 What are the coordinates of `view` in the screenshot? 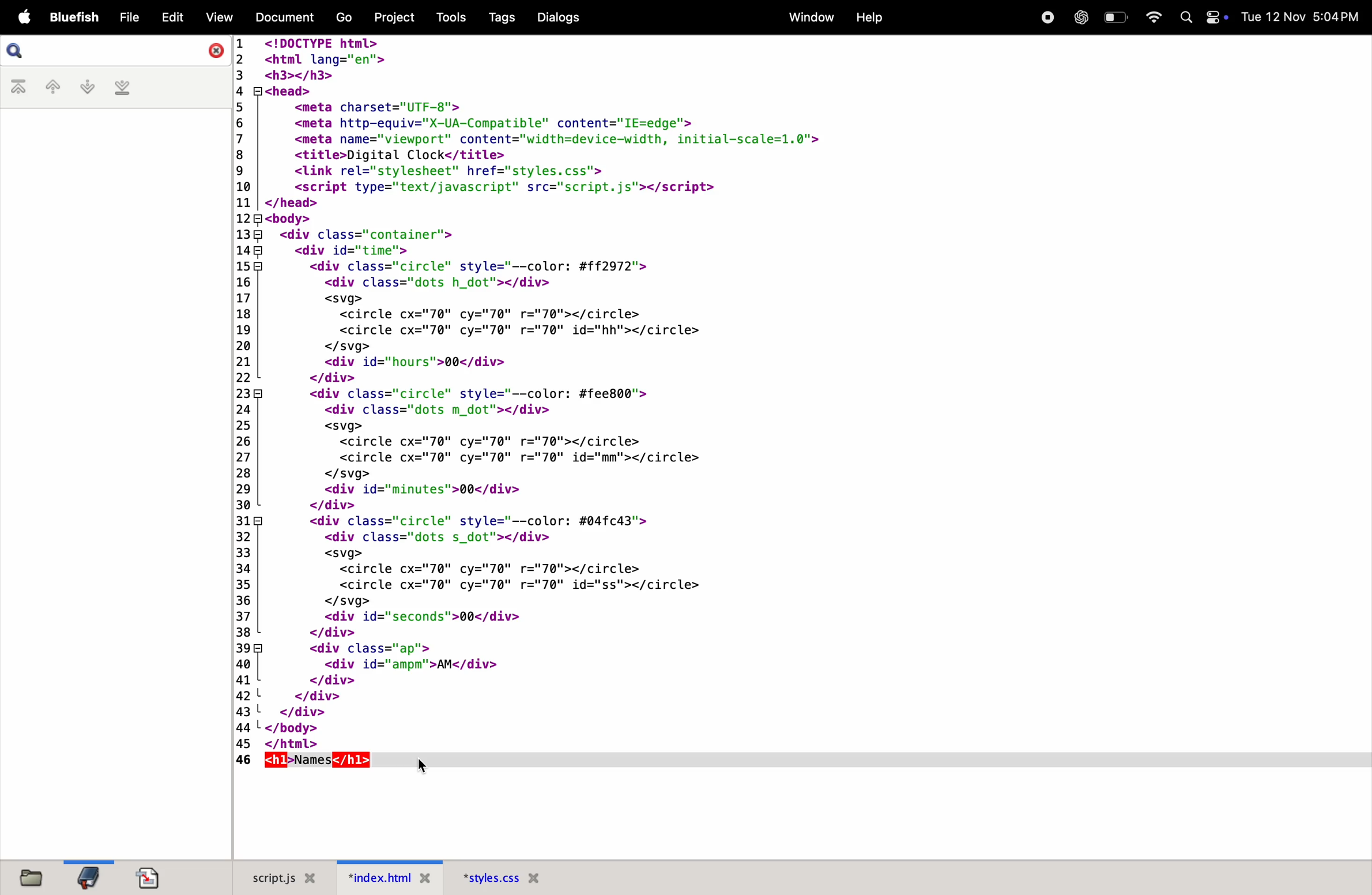 It's located at (218, 16).